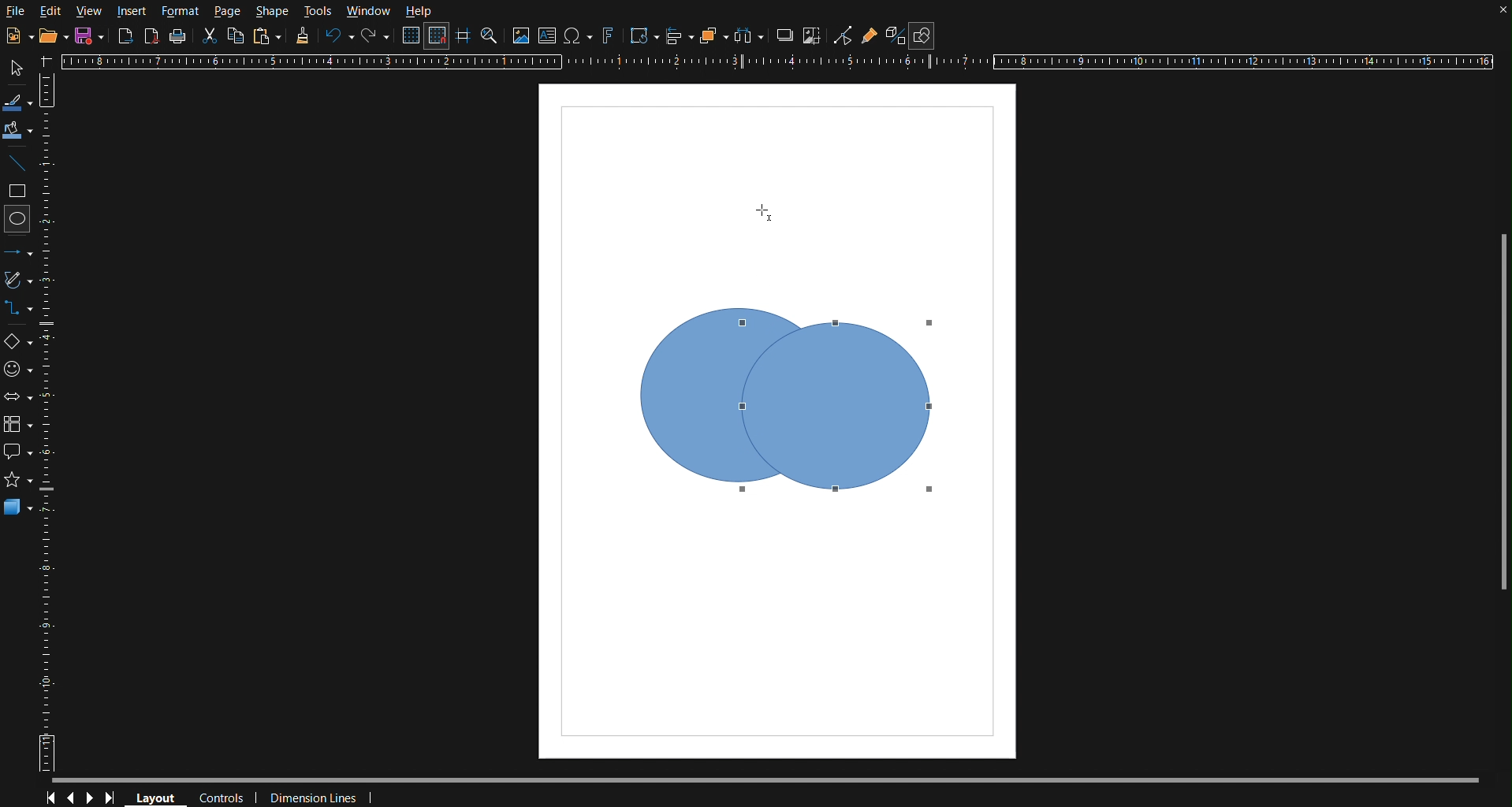 The image size is (1512, 807). I want to click on Line and Arrows, so click(18, 252).